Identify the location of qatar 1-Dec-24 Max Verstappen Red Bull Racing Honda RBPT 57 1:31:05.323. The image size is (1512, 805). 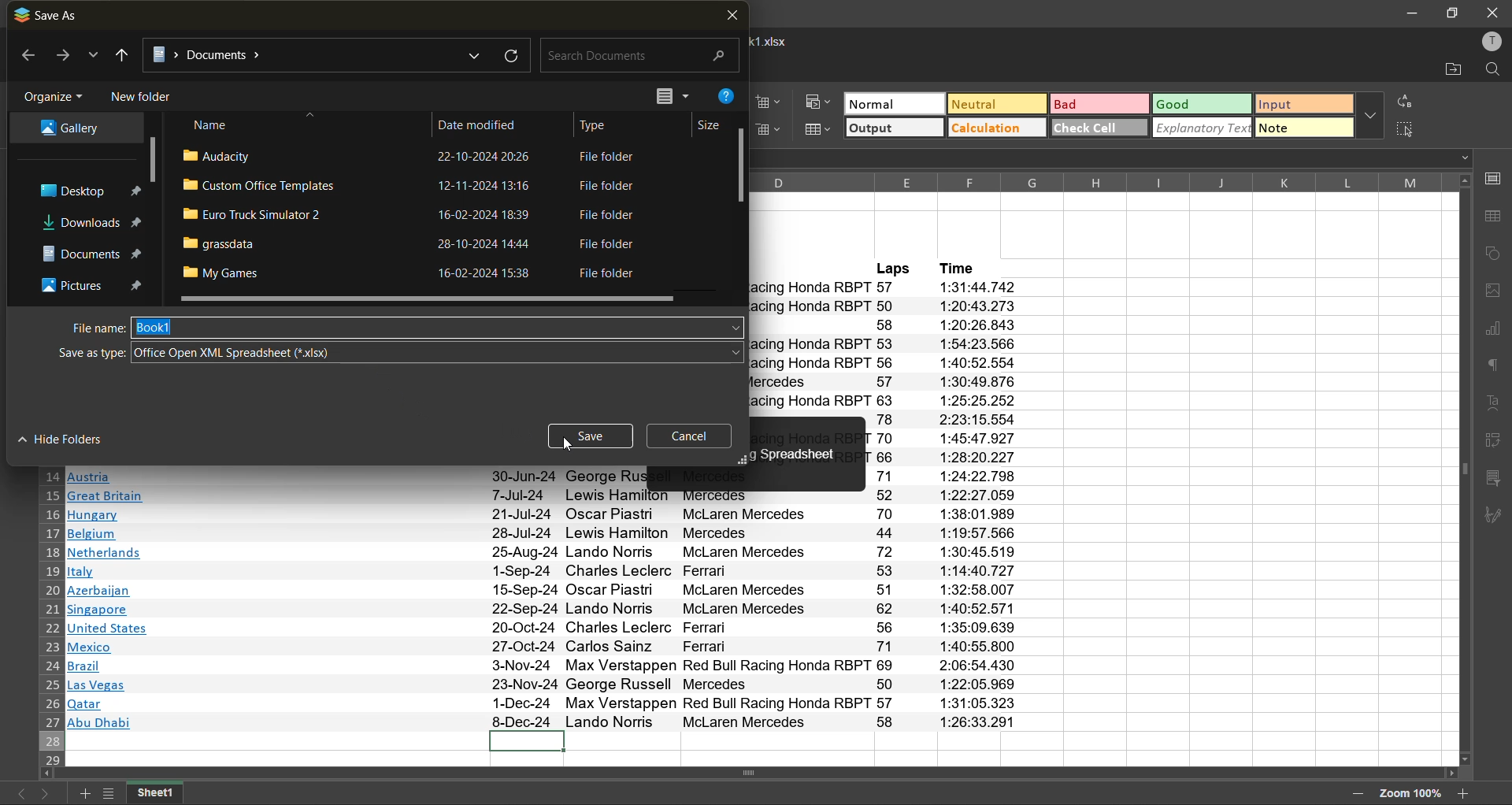
(547, 705).